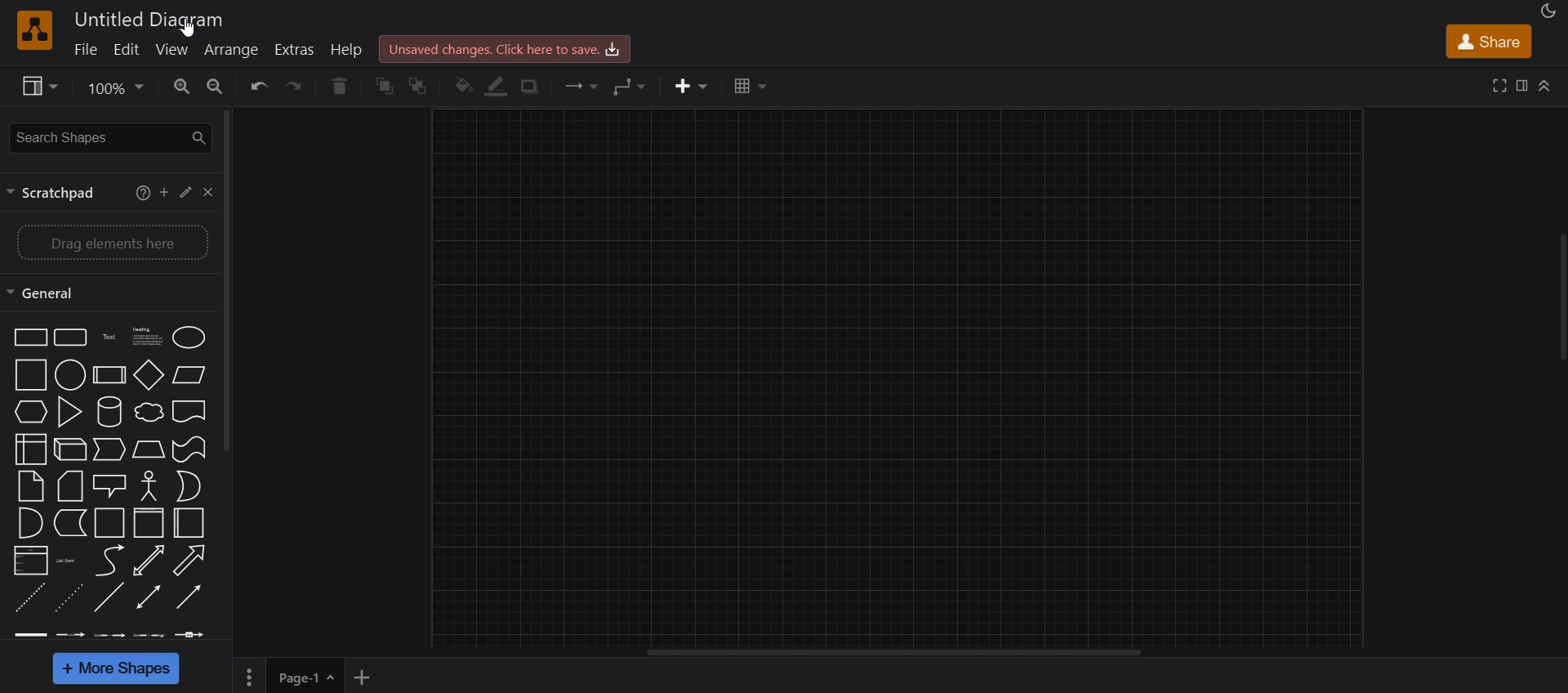 The height and width of the screenshot is (693, 1568). What do you see at coordinates (154, 17) in the screenshot?
I see `title` at bounding box center [154, 17].